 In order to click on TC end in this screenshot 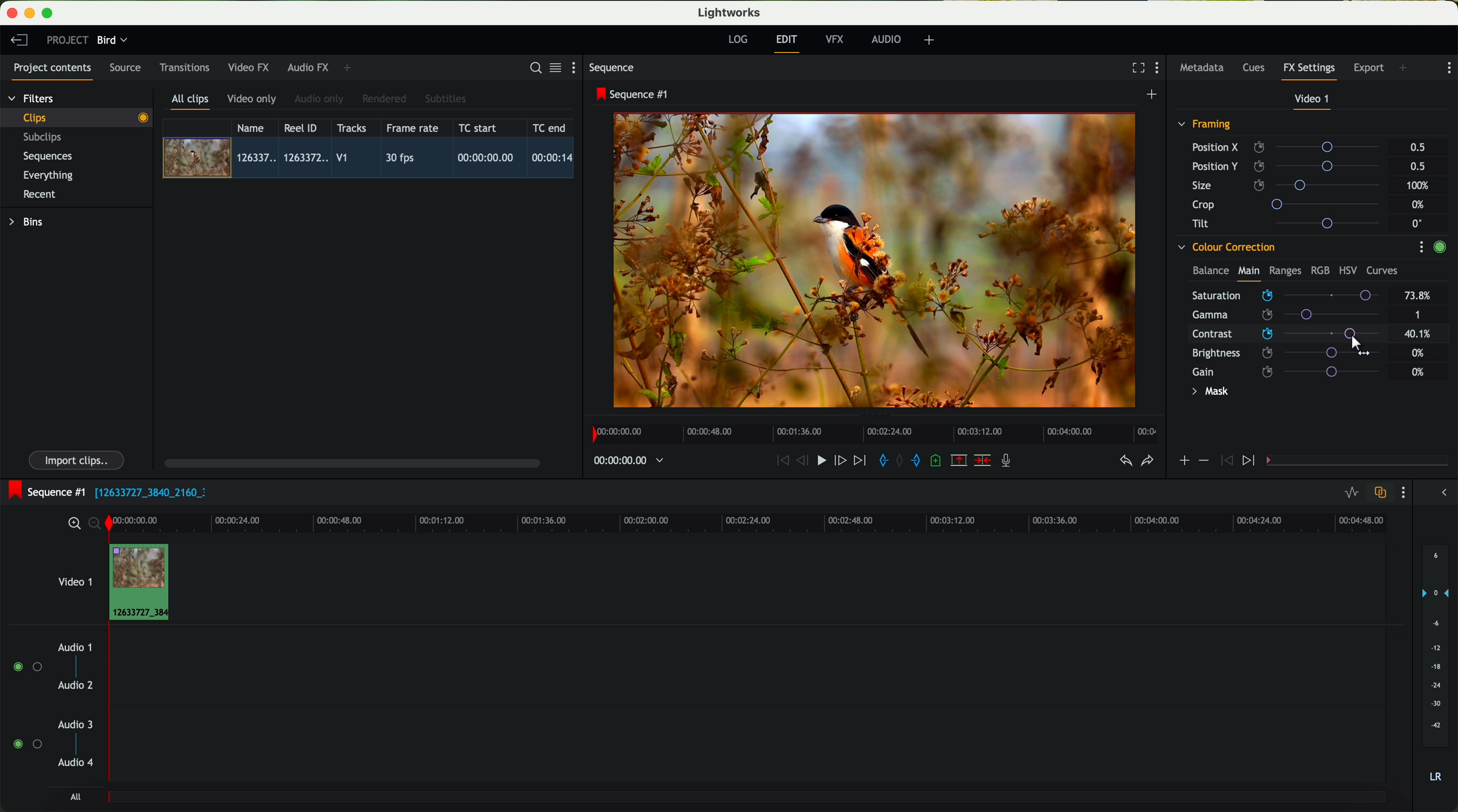, I will do `click(550, 127)`.